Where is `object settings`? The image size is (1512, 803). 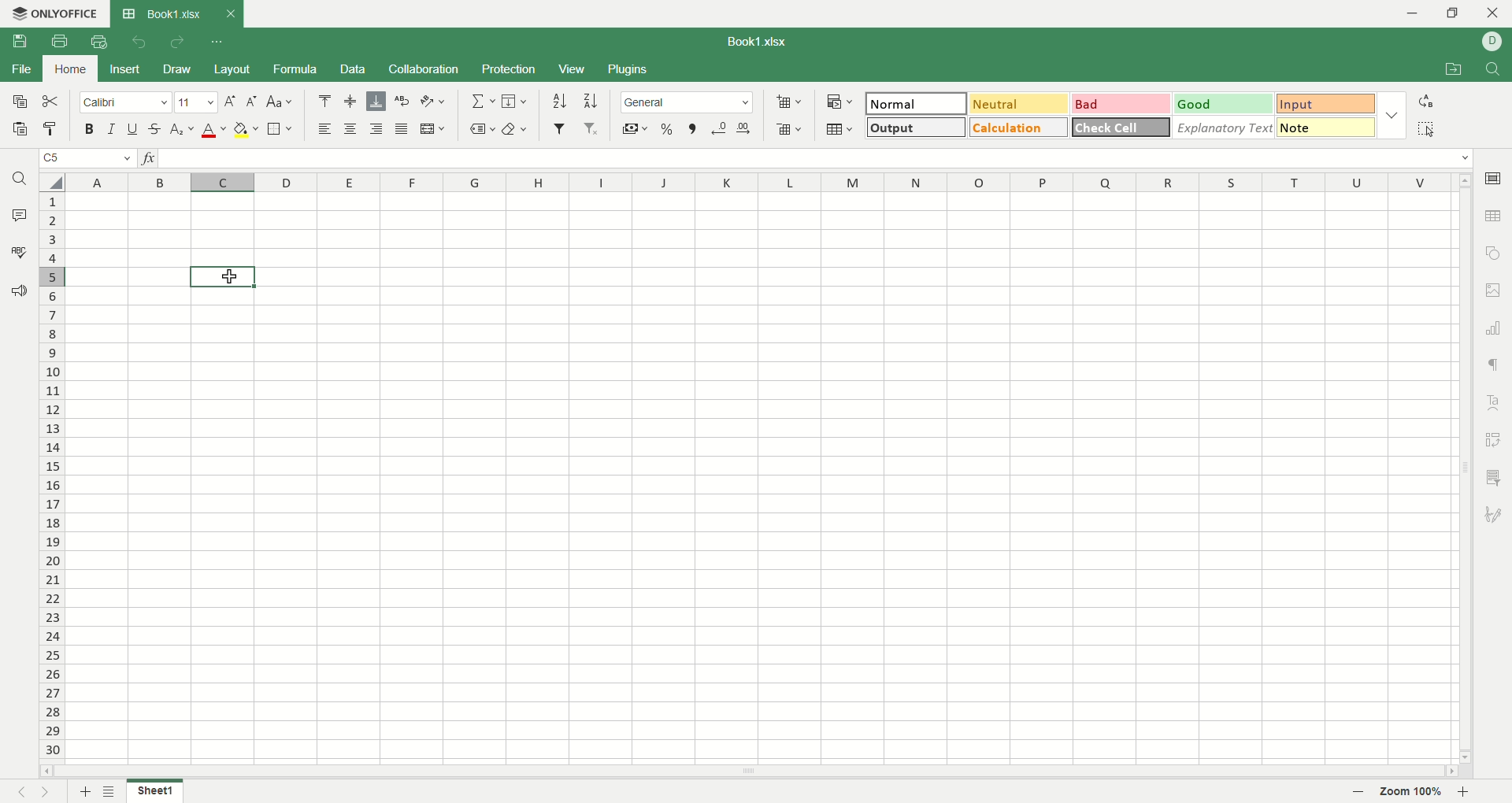
object settings is located at coordinates (1493, 255).